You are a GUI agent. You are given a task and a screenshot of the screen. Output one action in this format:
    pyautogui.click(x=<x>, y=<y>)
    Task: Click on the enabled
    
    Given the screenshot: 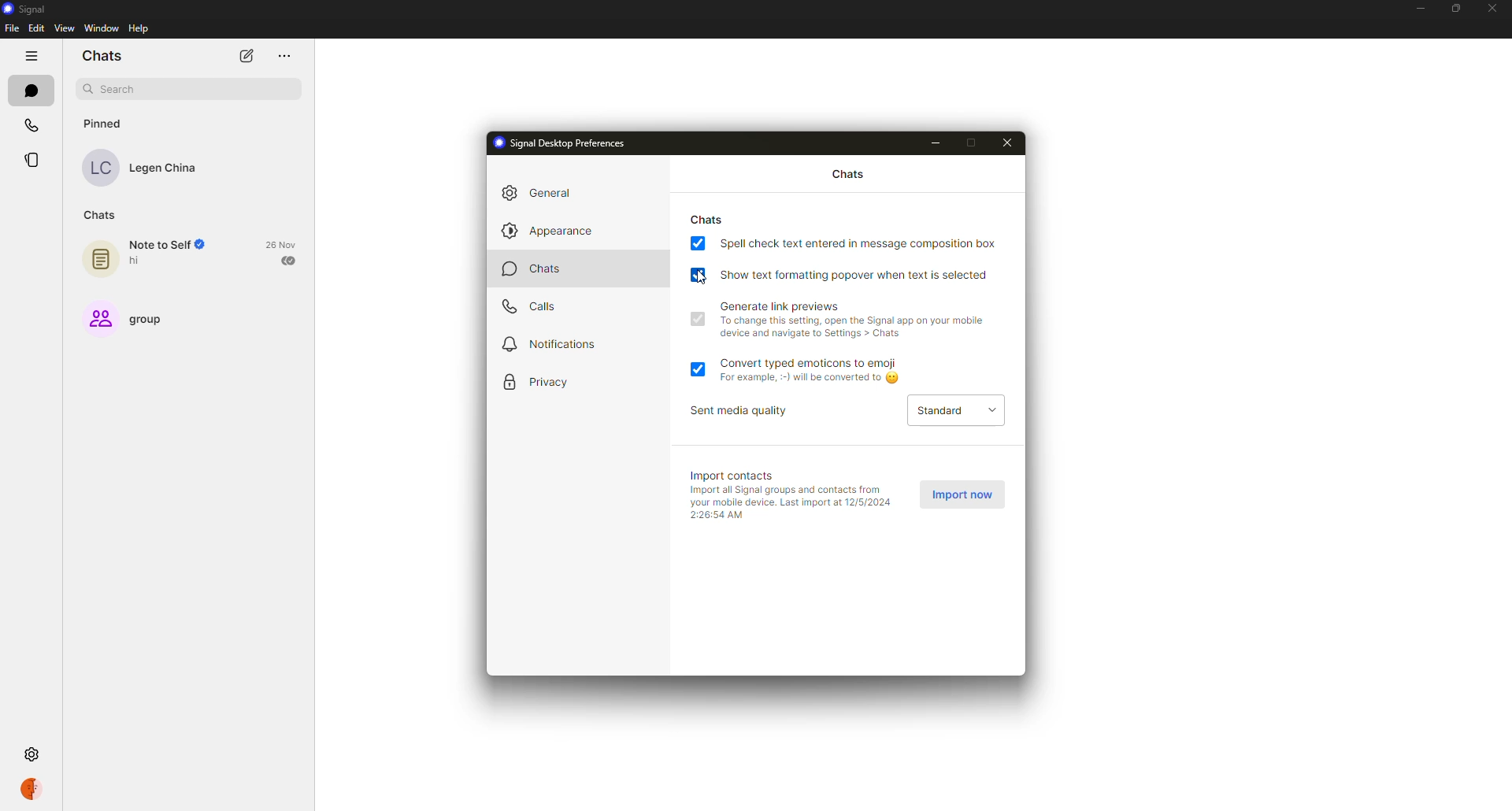 What is the action you would take?
    pyautogui.click(x=697, y=319)
    